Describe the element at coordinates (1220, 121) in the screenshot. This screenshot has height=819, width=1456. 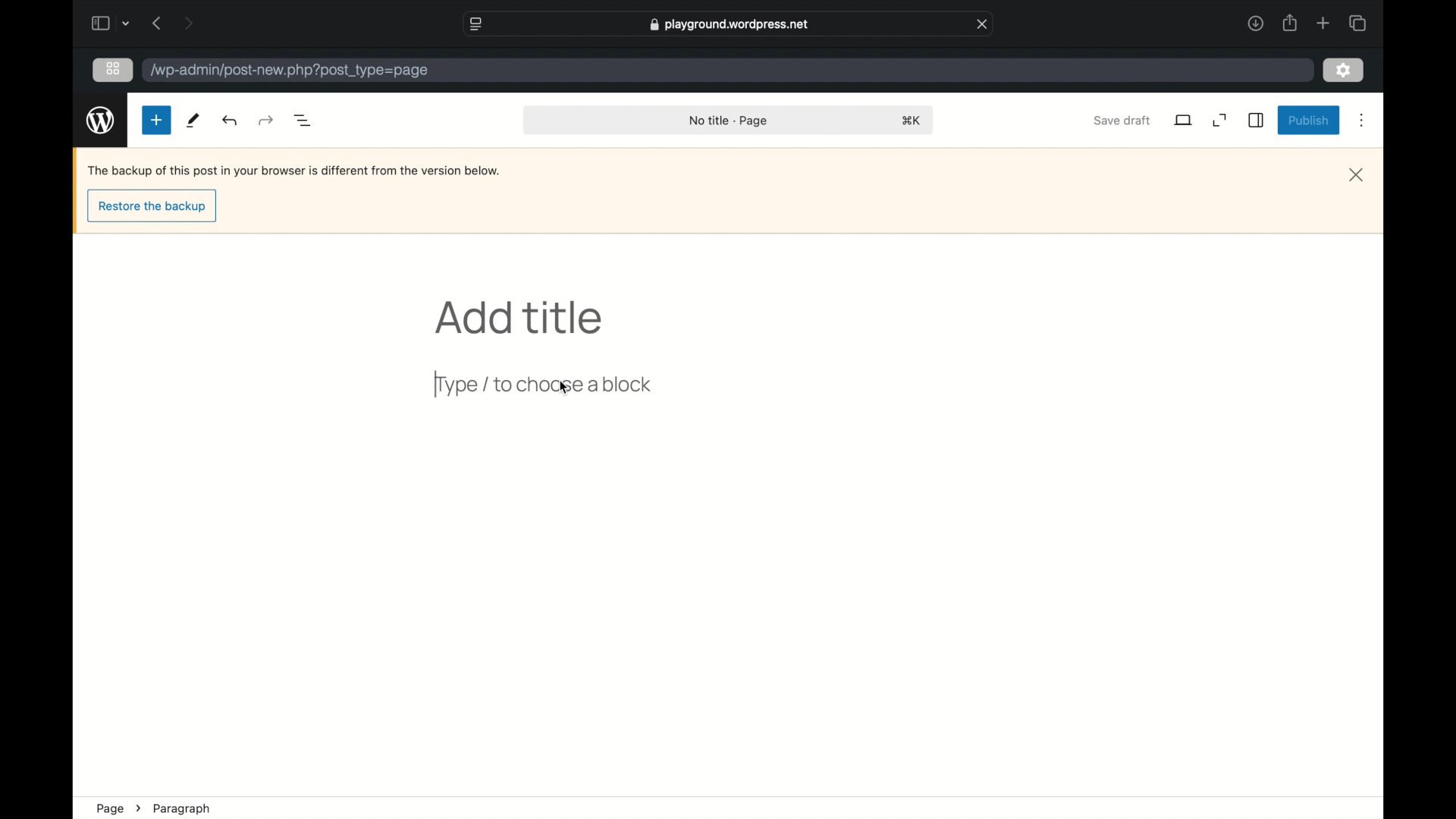
I see `expand` at that location.